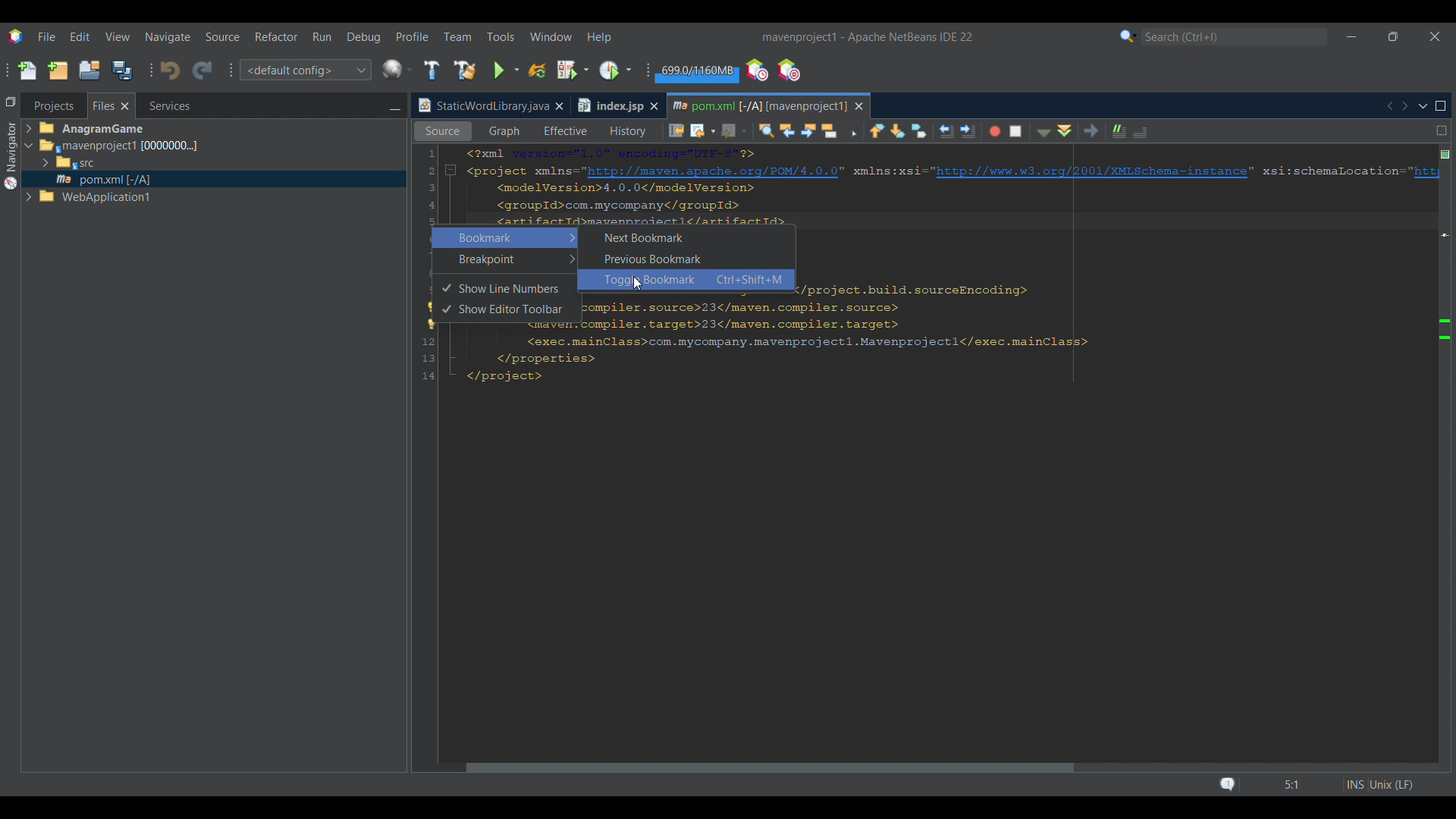 The image size is (1456, 819). Describe the element at coordinates (431, 317) in the screenshot. I see `Convert to release option for strict compatibility checks` at that location.